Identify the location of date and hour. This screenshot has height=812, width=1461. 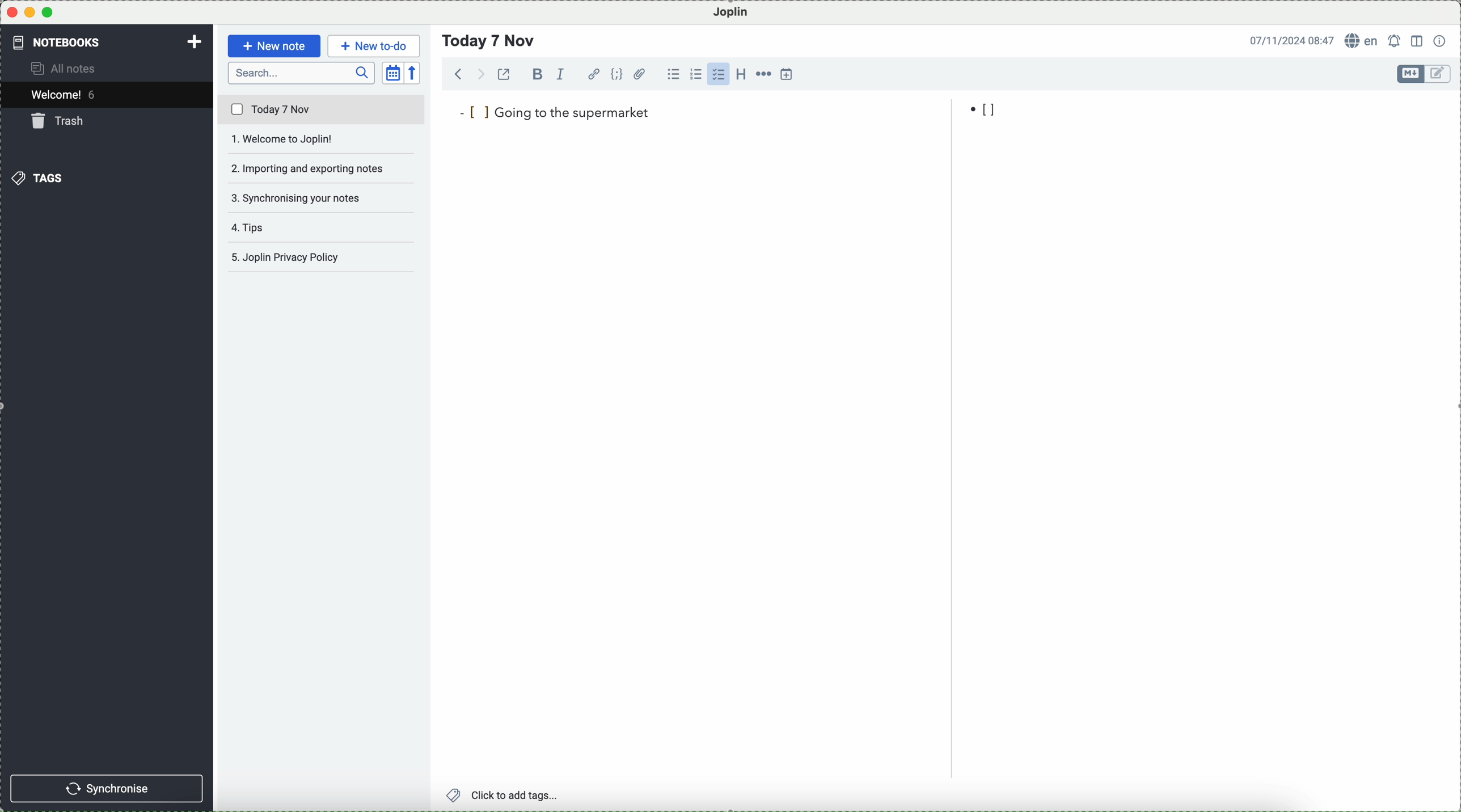
(1292, 40).